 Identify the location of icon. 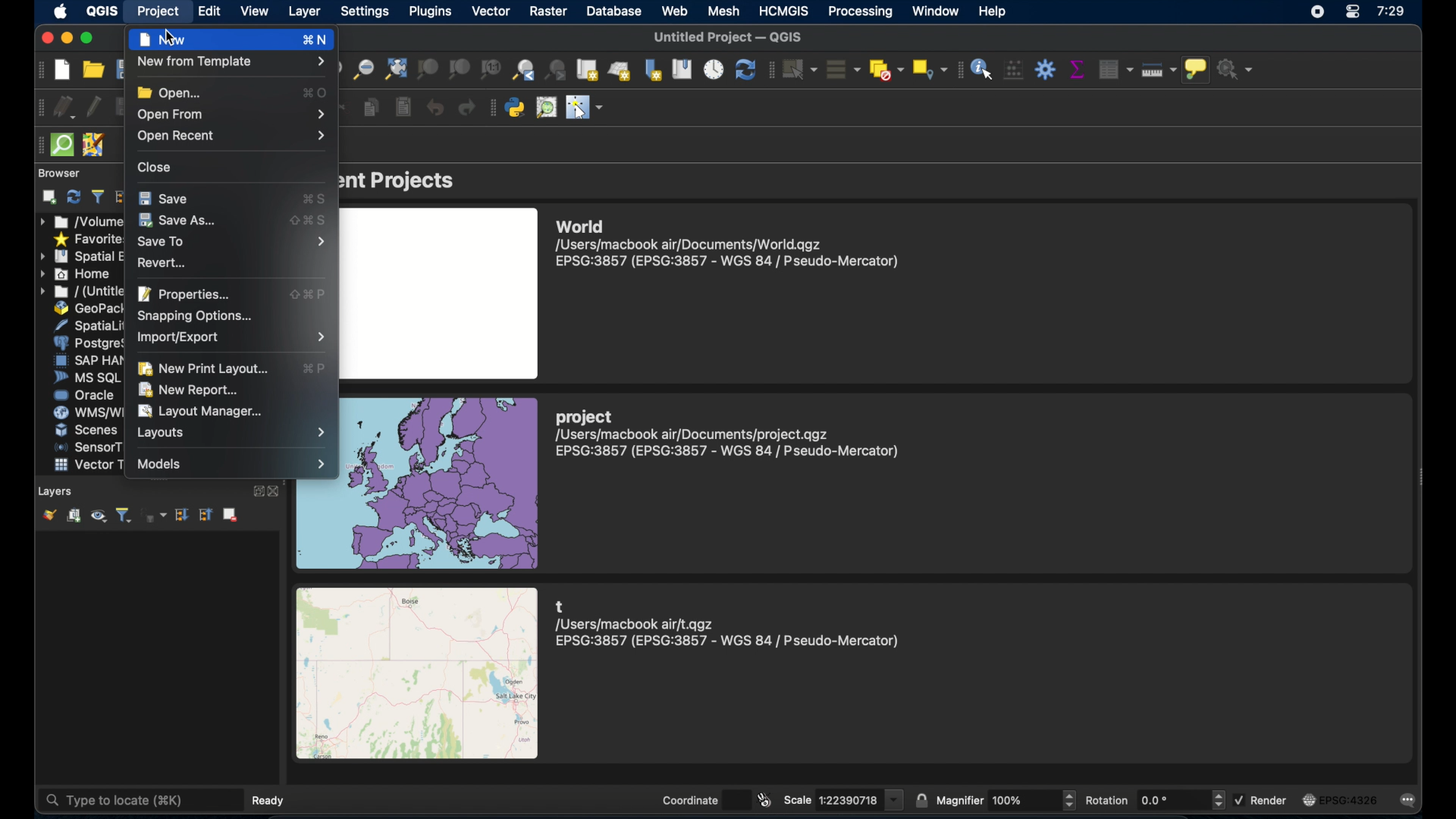
(61, 359).